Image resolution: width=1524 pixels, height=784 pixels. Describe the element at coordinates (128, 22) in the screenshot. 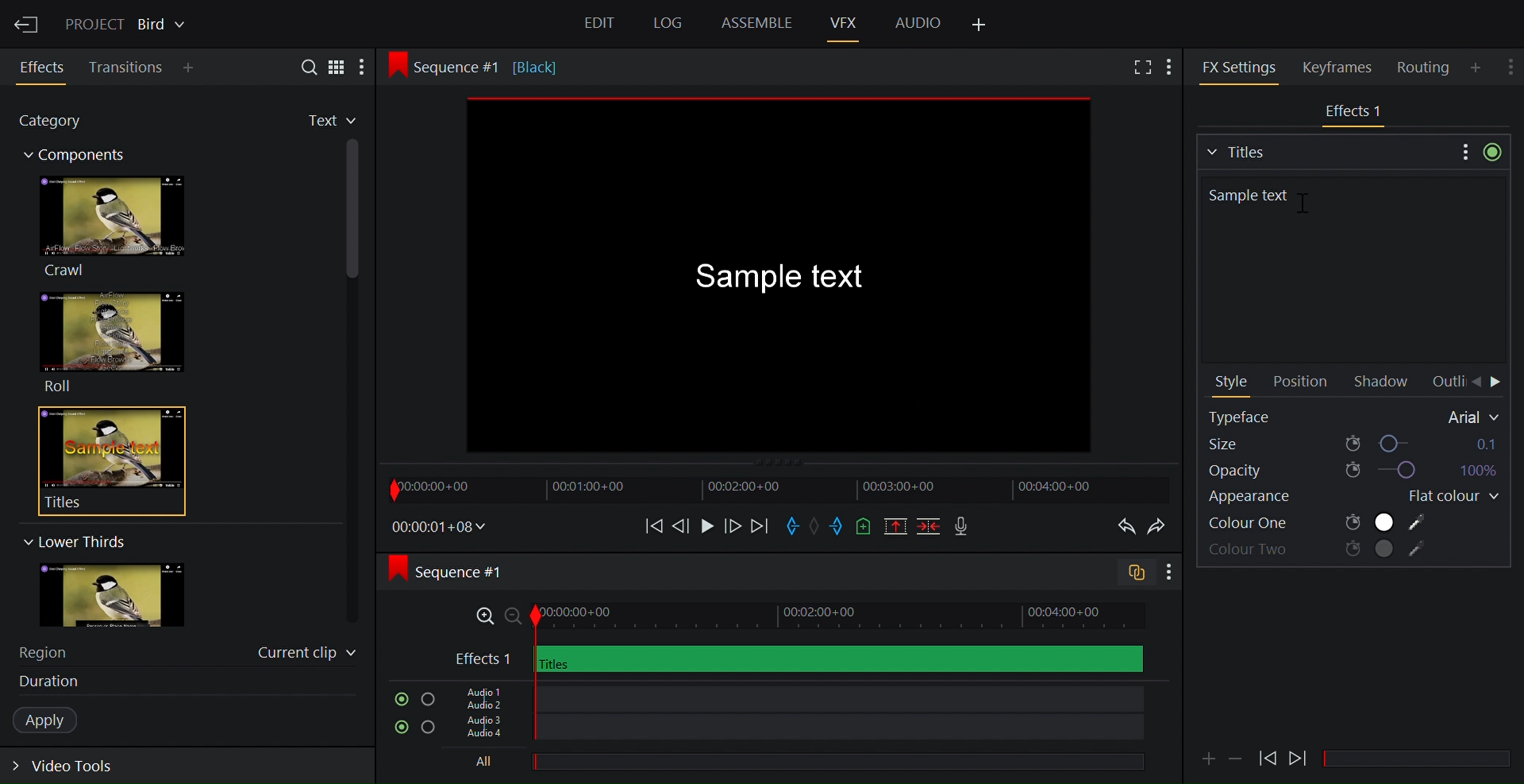

I see `Show/Change current project details` at that location.